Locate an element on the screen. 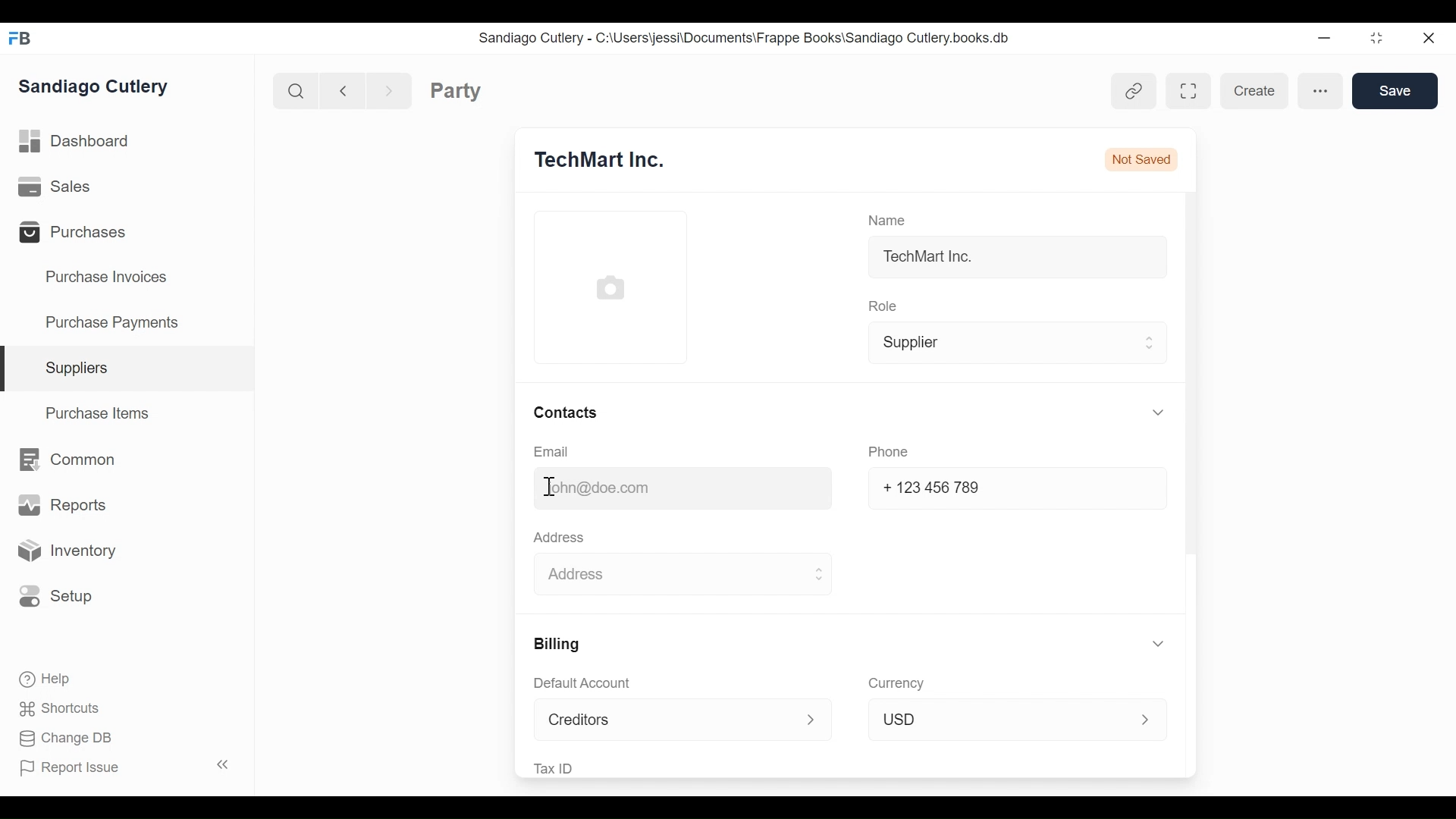 This screenshot has height=819, width=1456. Purchases is located at coordinates (82, 234).